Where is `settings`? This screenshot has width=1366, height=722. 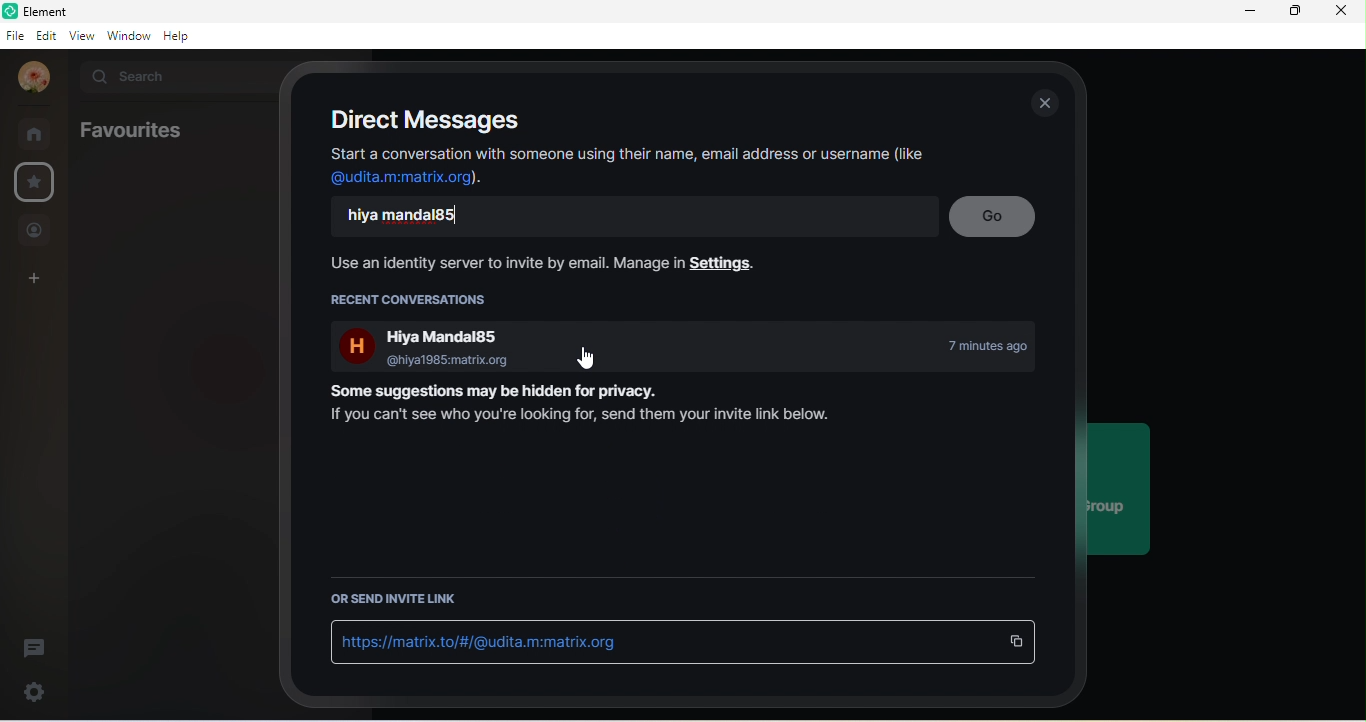
settings is located at coordinates (35, 694).